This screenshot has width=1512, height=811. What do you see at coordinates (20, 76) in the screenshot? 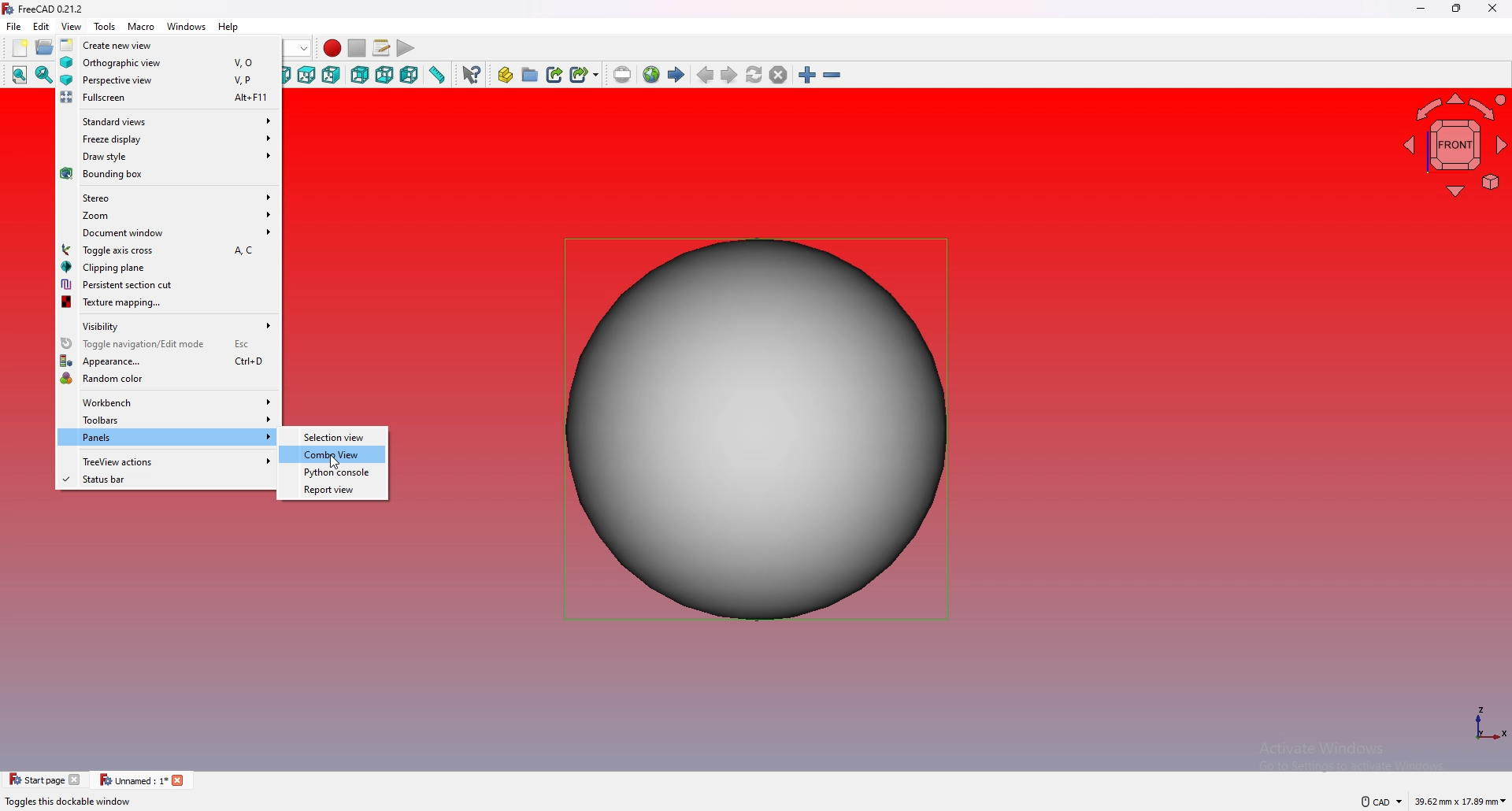
I see `fit all` at bounding box center [20, 76].